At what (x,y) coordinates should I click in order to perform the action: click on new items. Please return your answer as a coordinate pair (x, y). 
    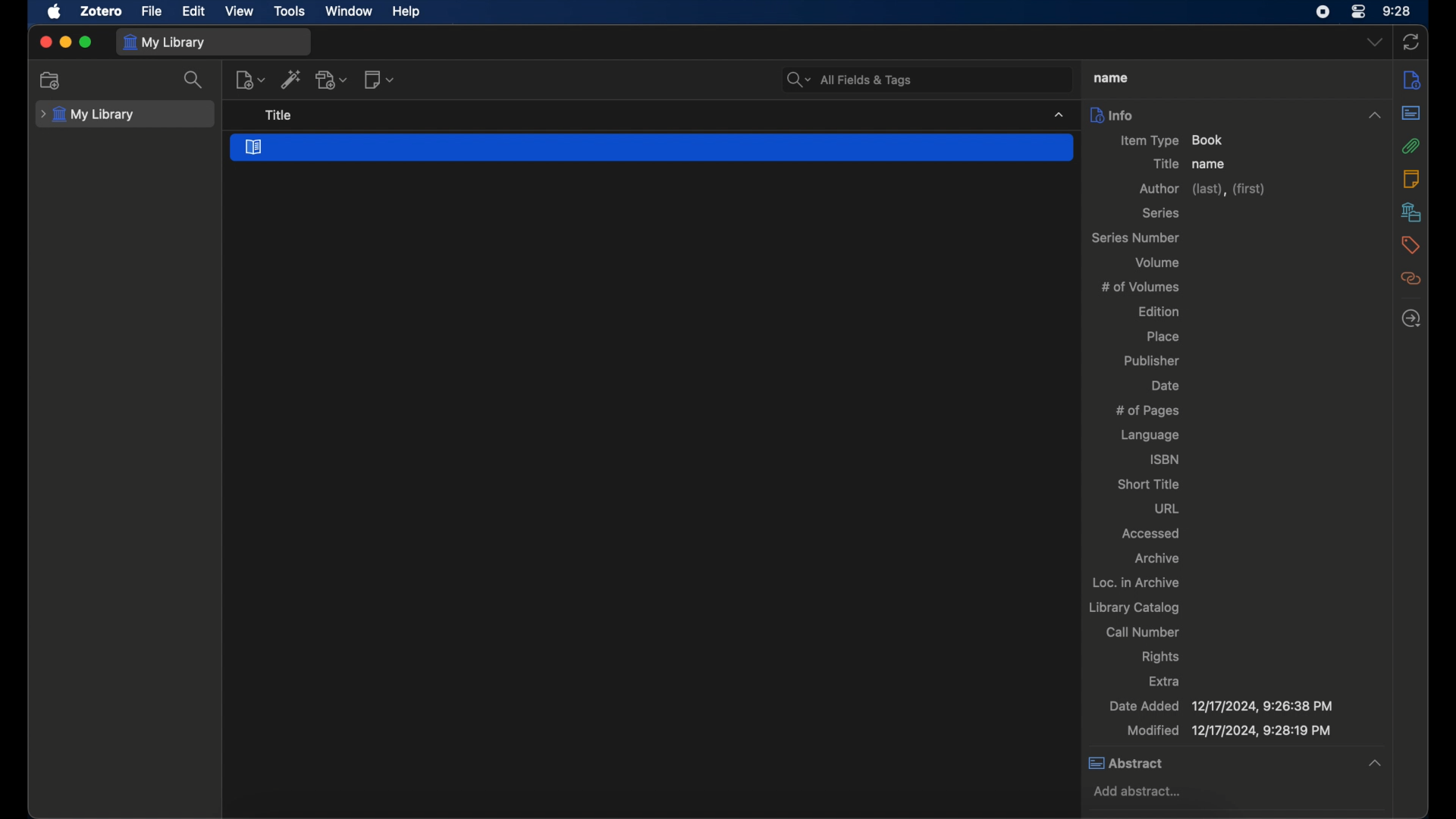
    Looking at the image, I should click on (250, 80).